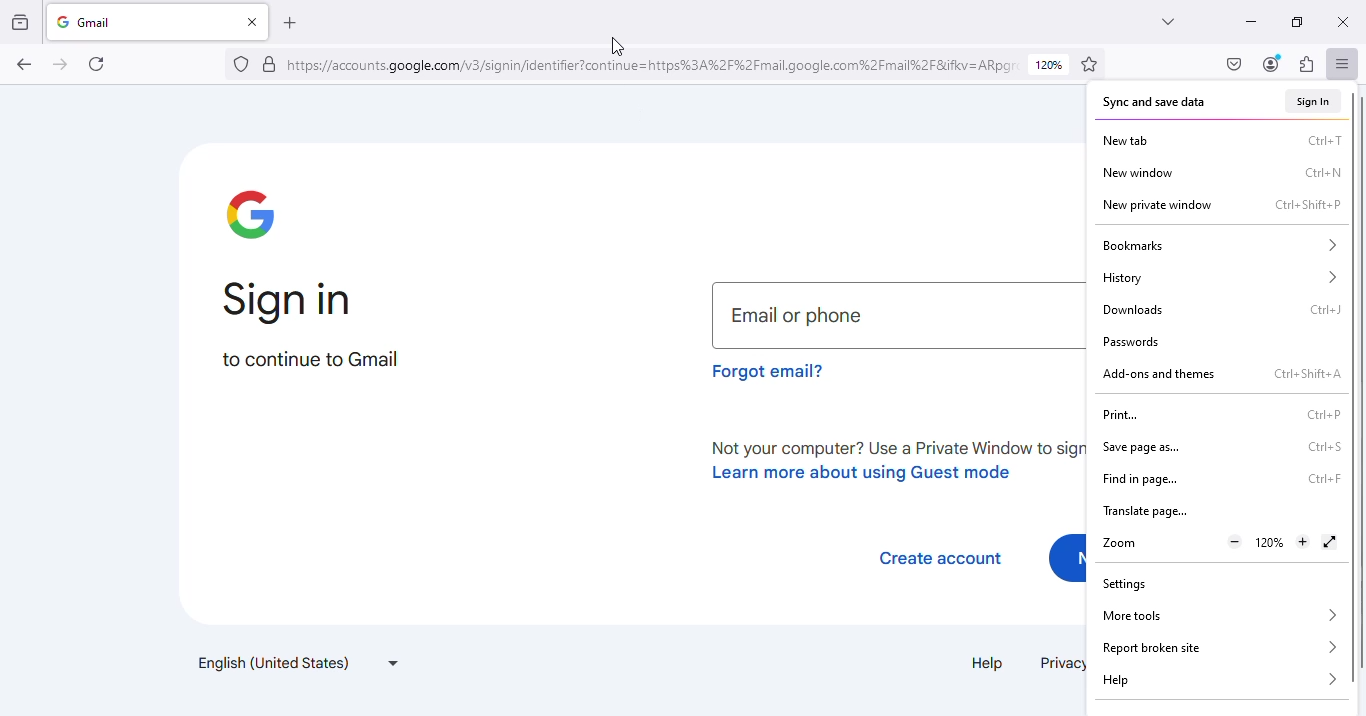 This screenshot has width=1366, height=716. I want to click on minimize, so click(1252, 23).